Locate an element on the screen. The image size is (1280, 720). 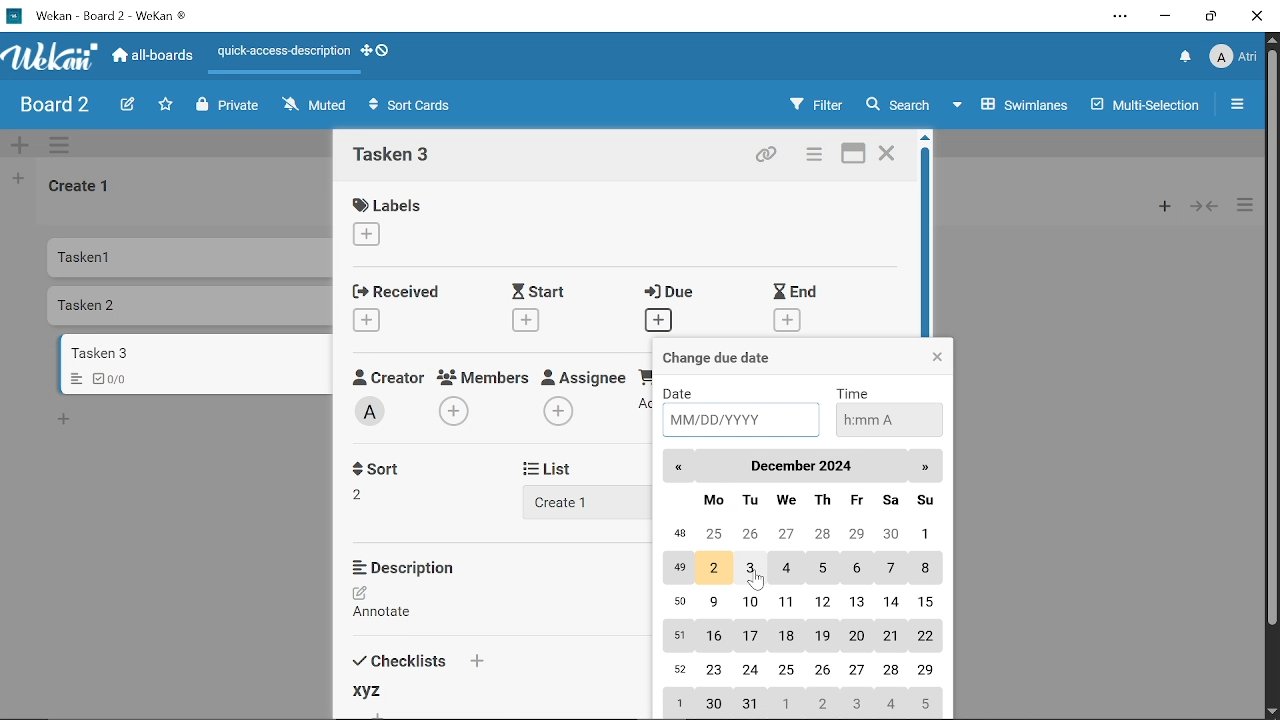
Description is located at coordinates (413, 567).